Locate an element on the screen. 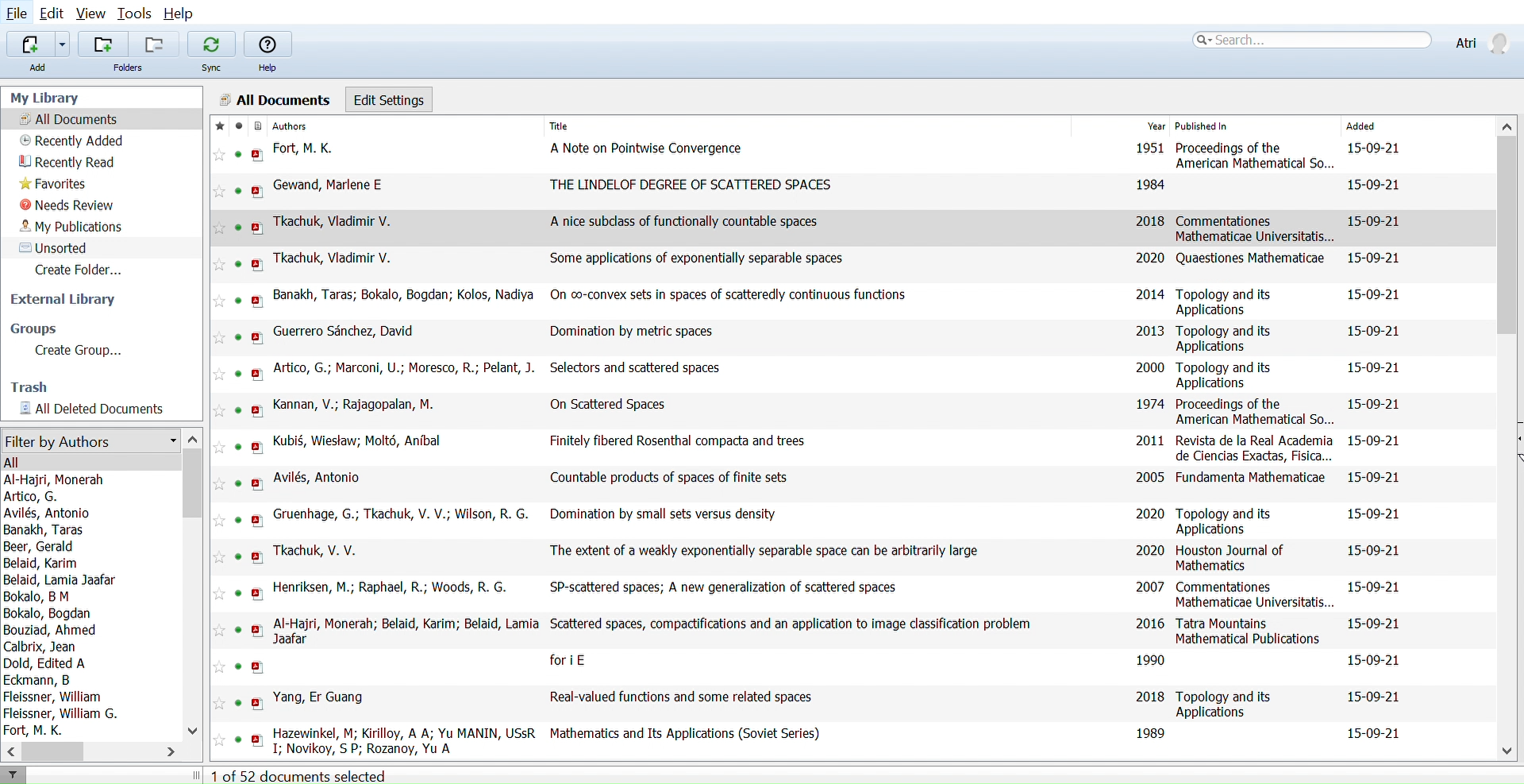  open PDF is located at coordinates (258, 556).